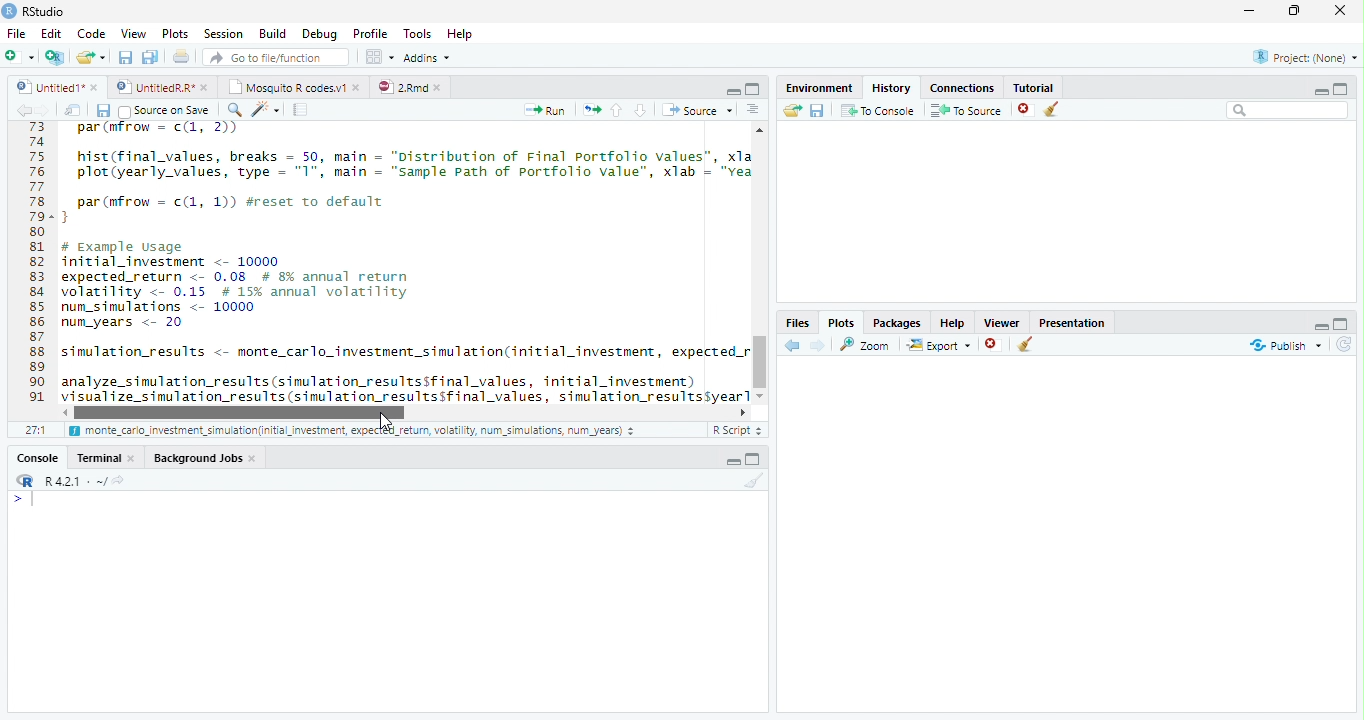 This screenshot has height=720, width=1364. Describe the element at coordinates (1030, 85) in the screenshot. I see `Tutorial` at that location.